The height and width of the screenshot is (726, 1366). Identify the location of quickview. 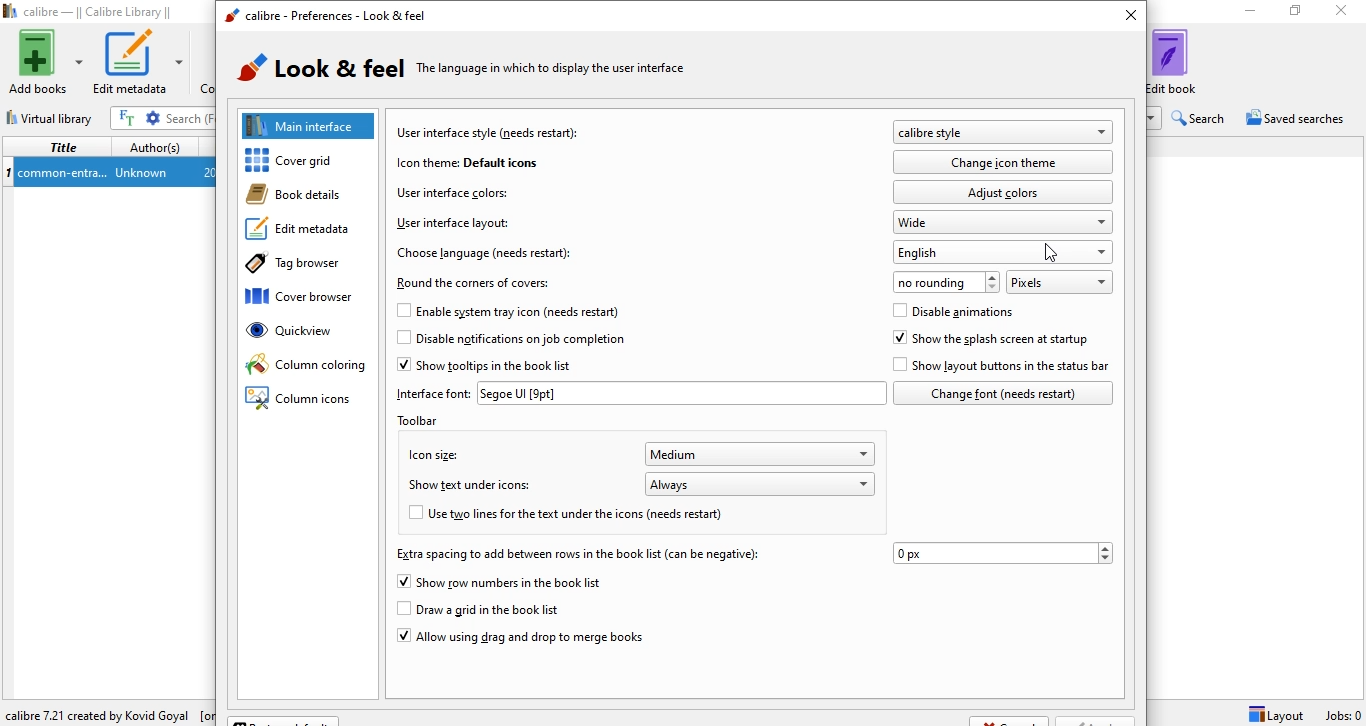
(310, 336).